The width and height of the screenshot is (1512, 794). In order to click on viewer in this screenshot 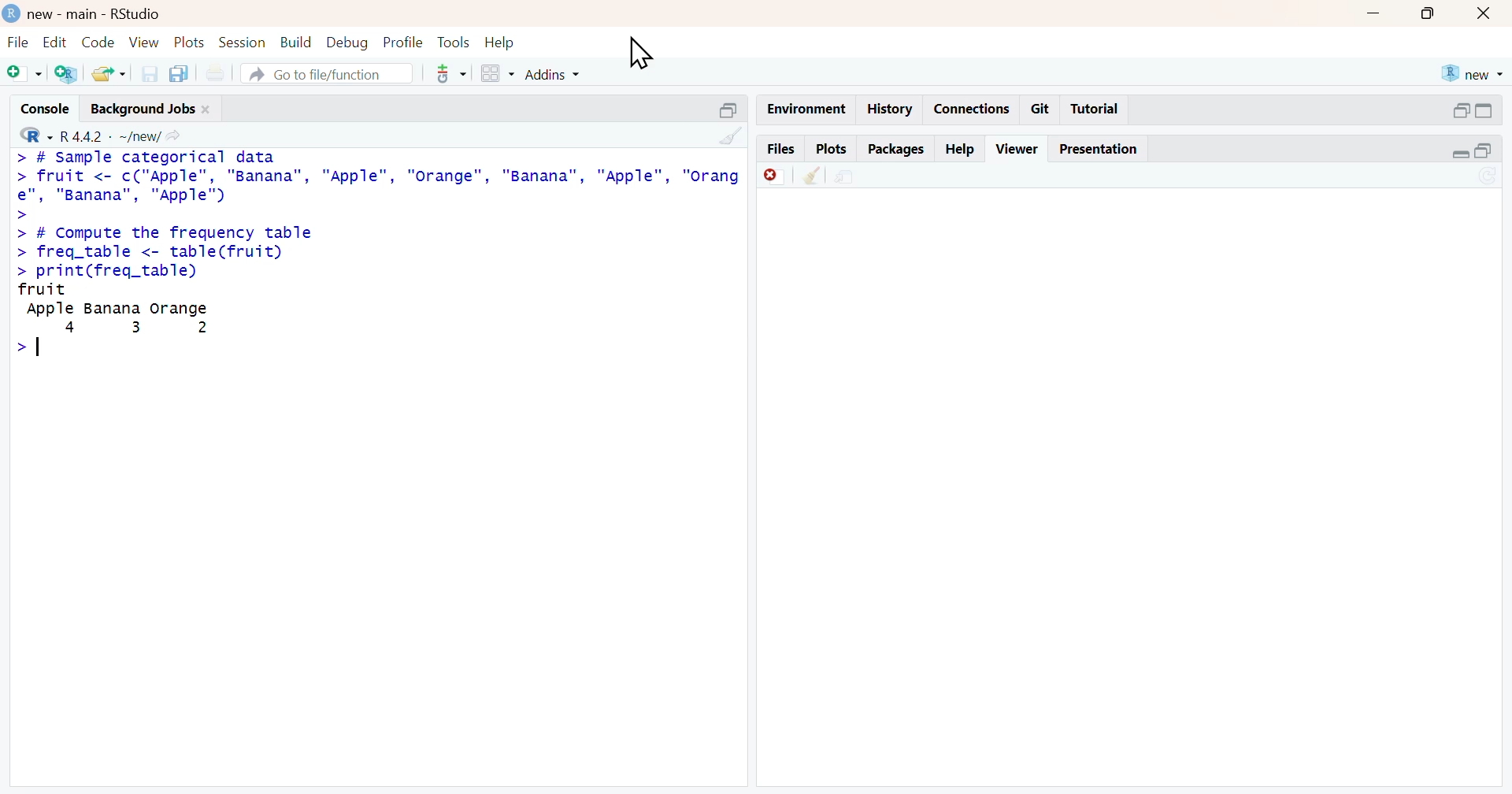, I will do `click(1018, 150)`.